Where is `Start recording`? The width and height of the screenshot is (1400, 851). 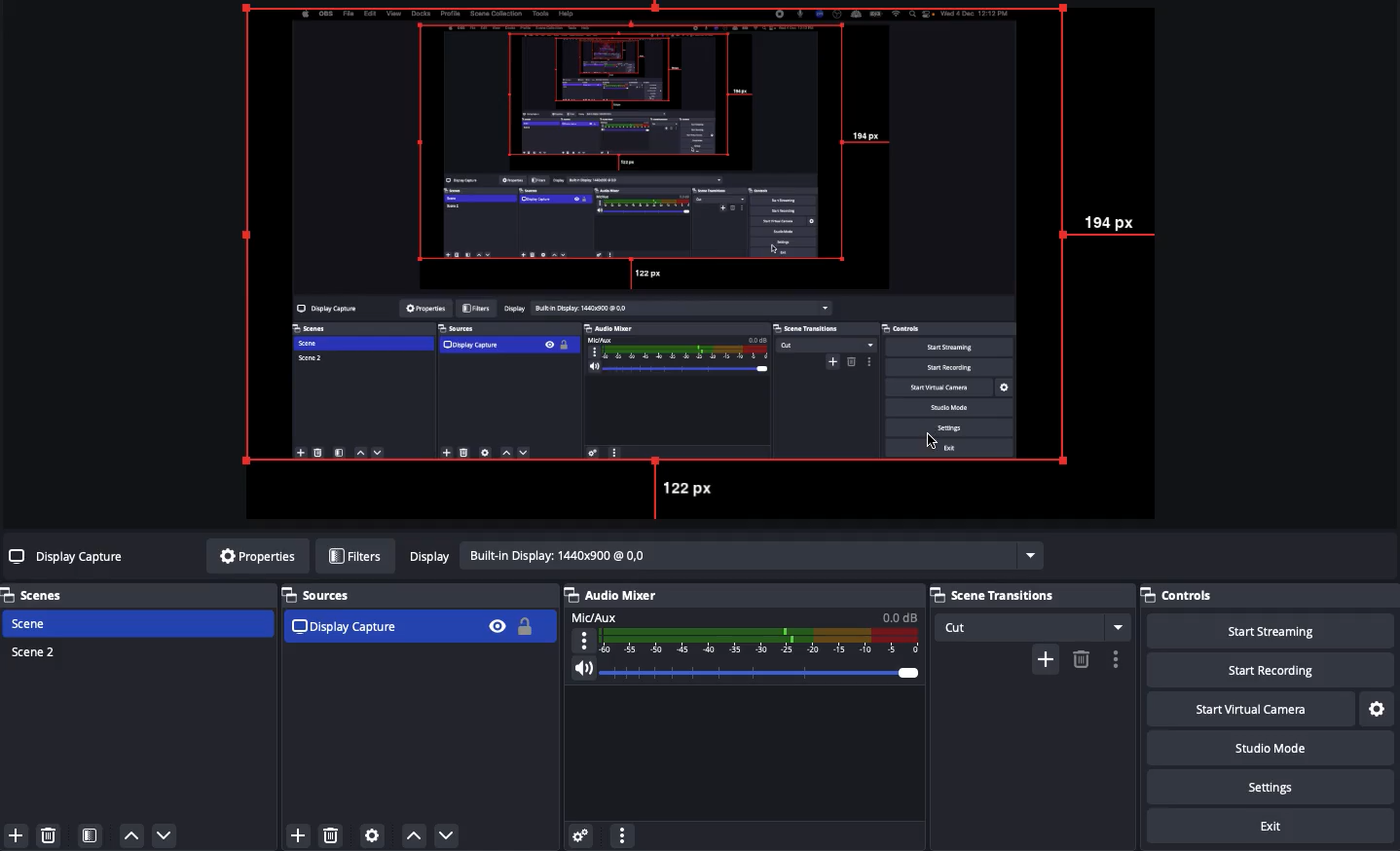
Start recording is located at coordinates (1295, 671).